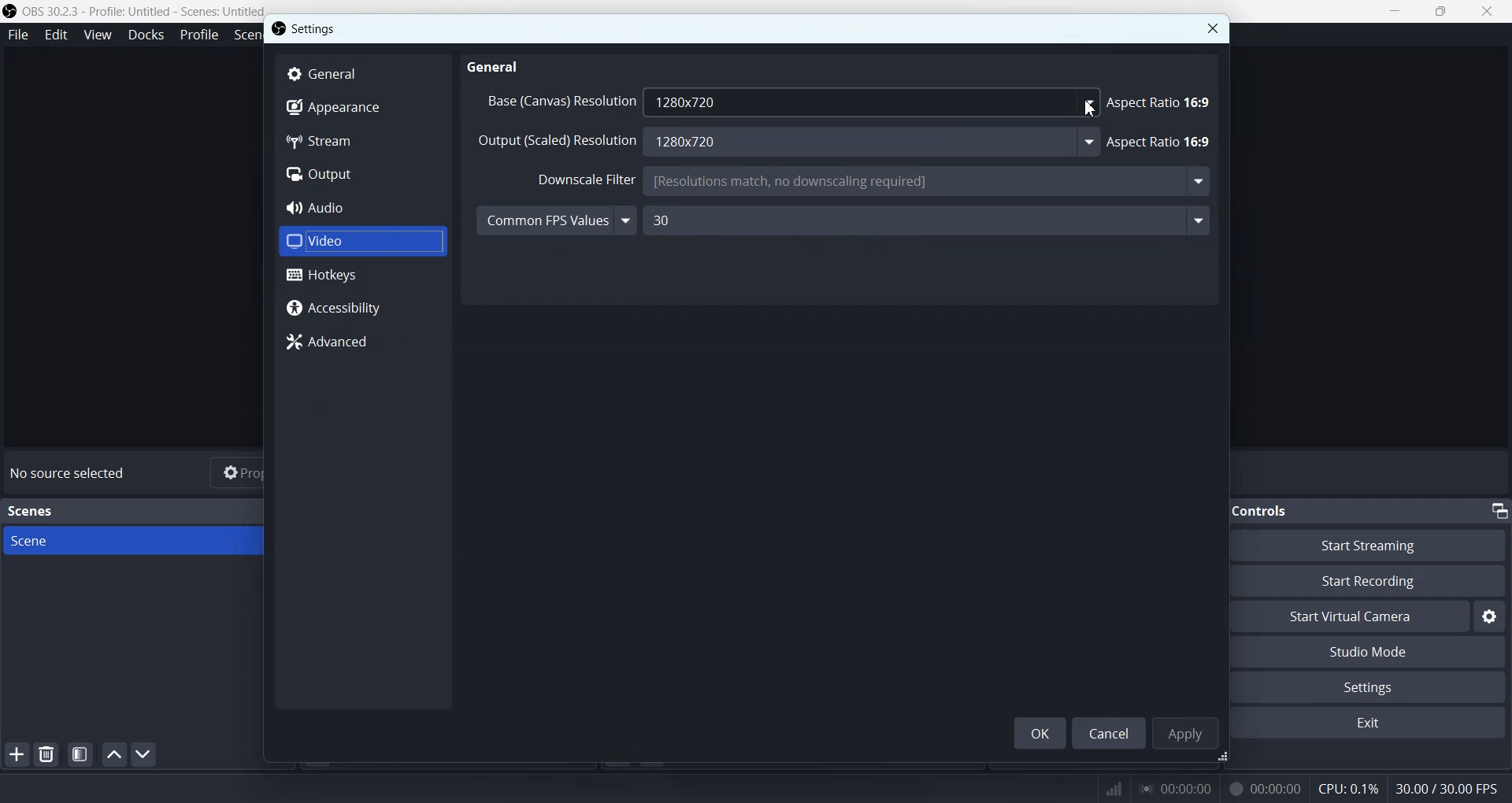 Image resolution: width=1512 pixels, height=803 pixels. Describe the element at coordinates (363, 73) in the screenshot. I see `General` at that location.